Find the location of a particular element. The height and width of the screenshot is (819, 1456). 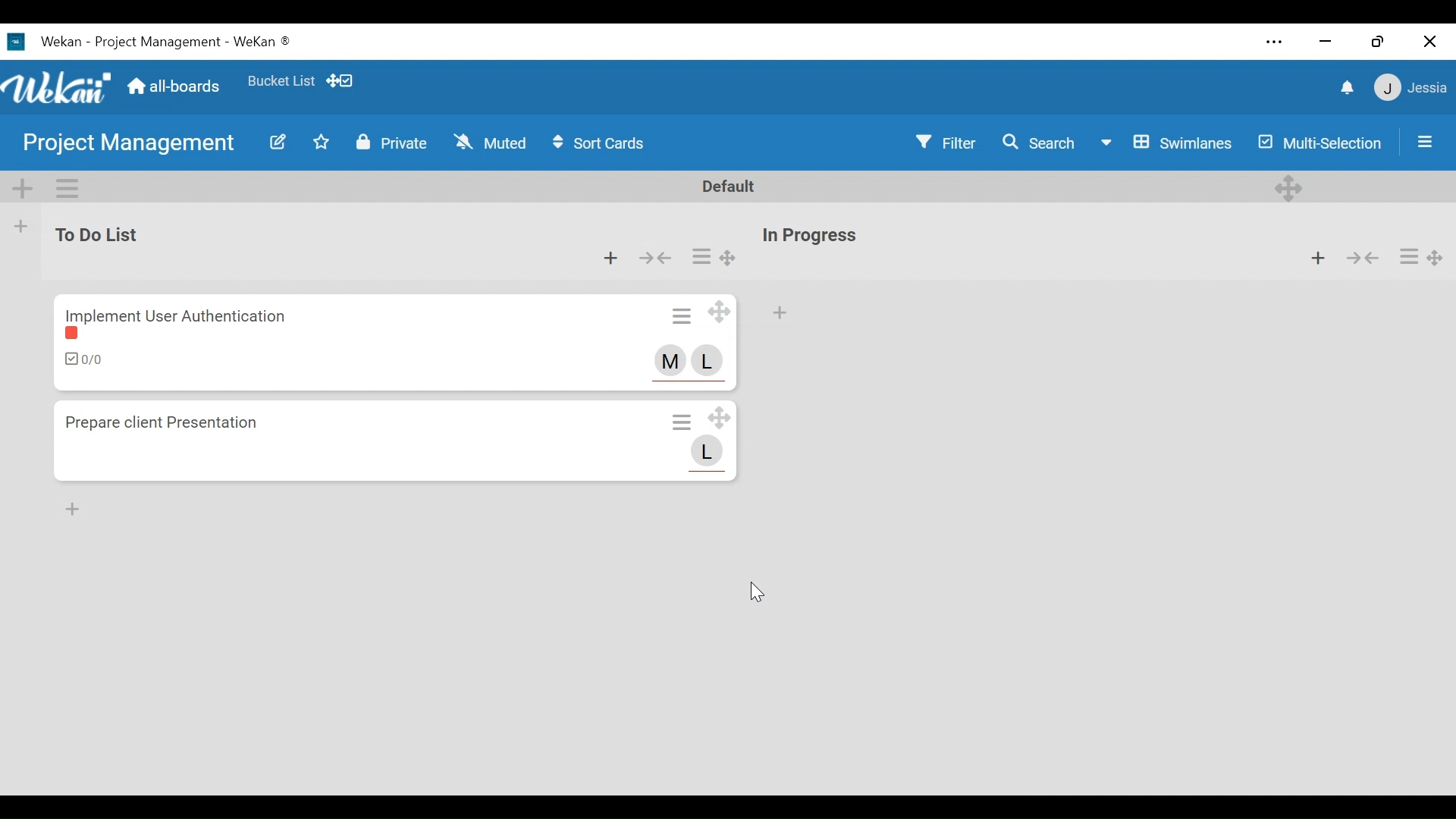

Edit is located at coordinates (279, 141).